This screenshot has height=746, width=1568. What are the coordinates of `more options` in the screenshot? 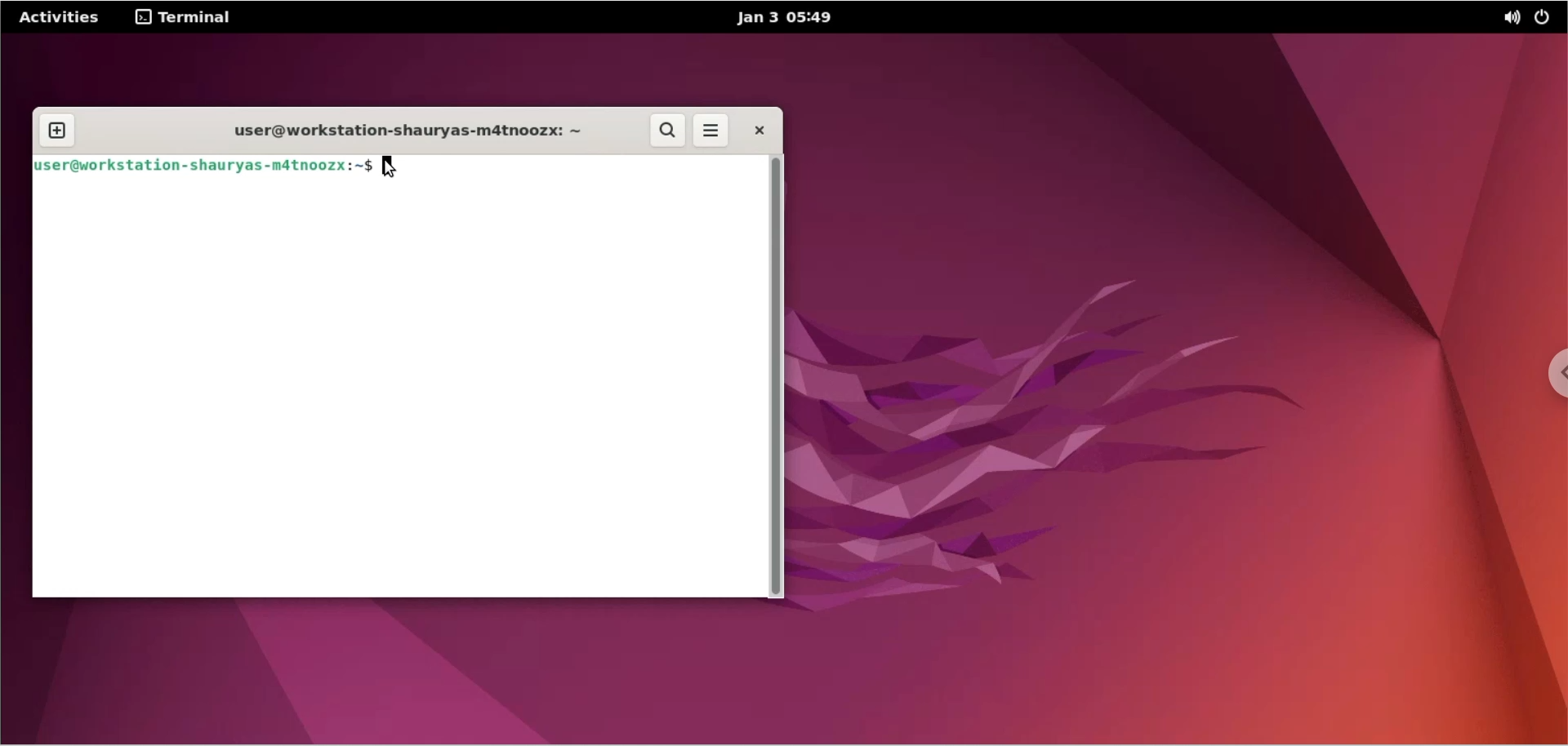 It's located at (711, 132).